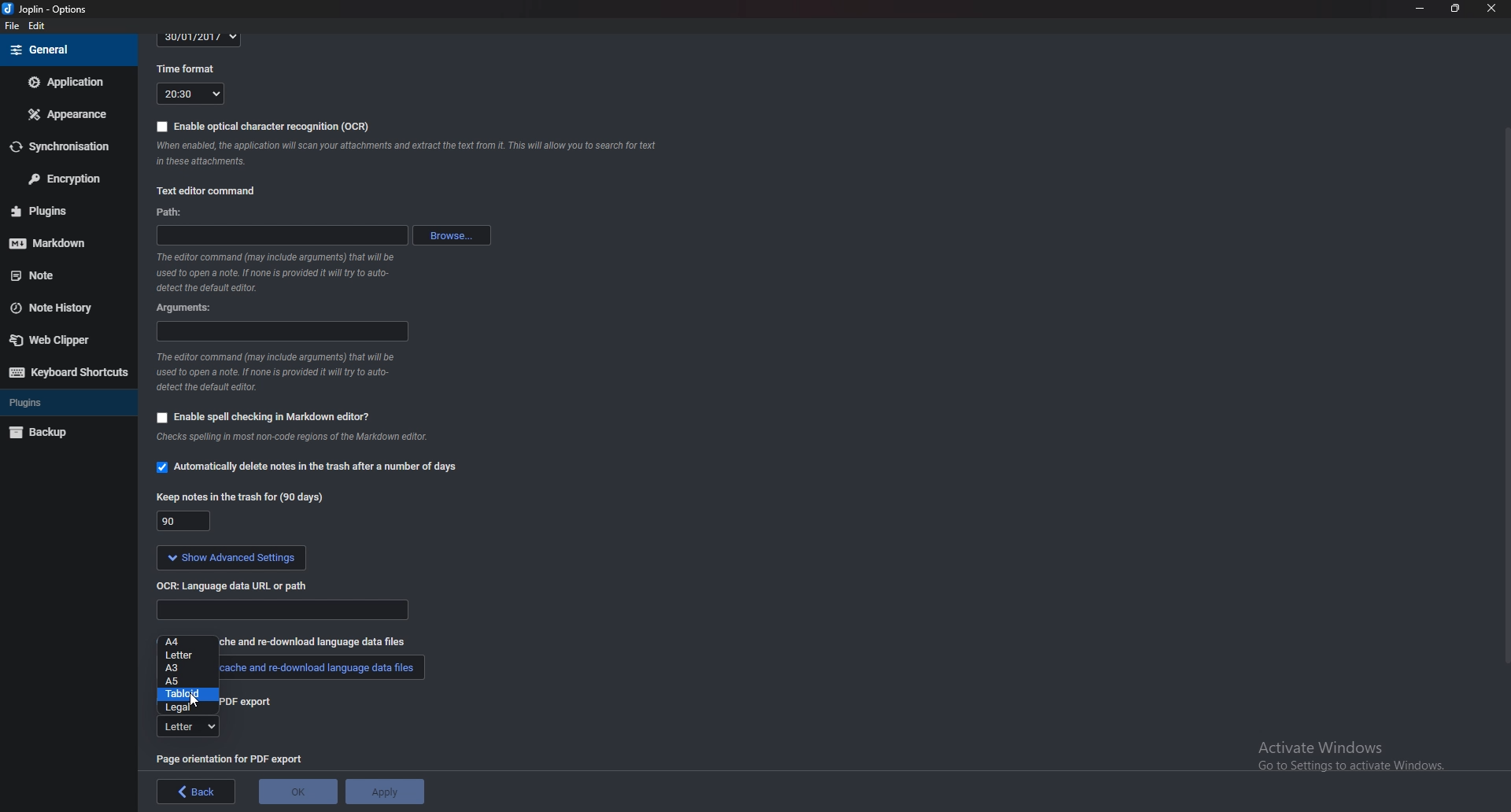 This screenshot has height=812, width=1511. What do you see at coordinates (1420, 8) in the screenshot?
I see `Minimize` at bounding box center [1420, 8].